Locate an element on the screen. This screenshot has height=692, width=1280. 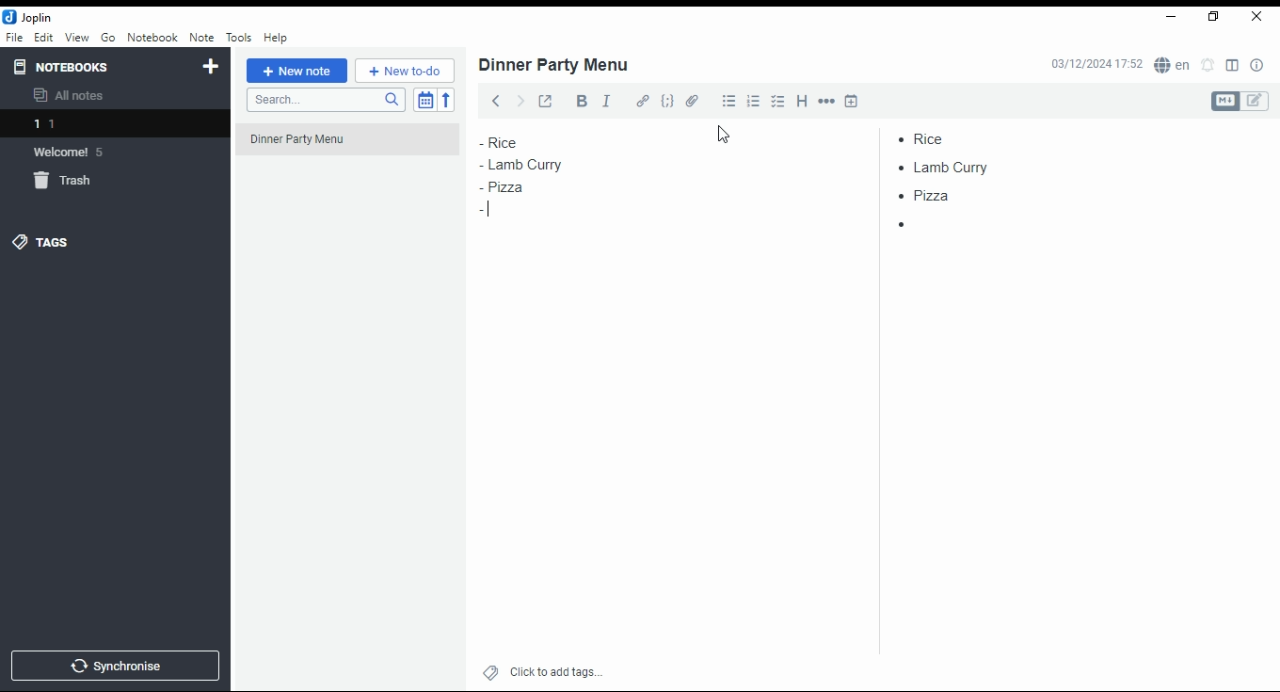
Markdown is located at coordinates (1224, 101).